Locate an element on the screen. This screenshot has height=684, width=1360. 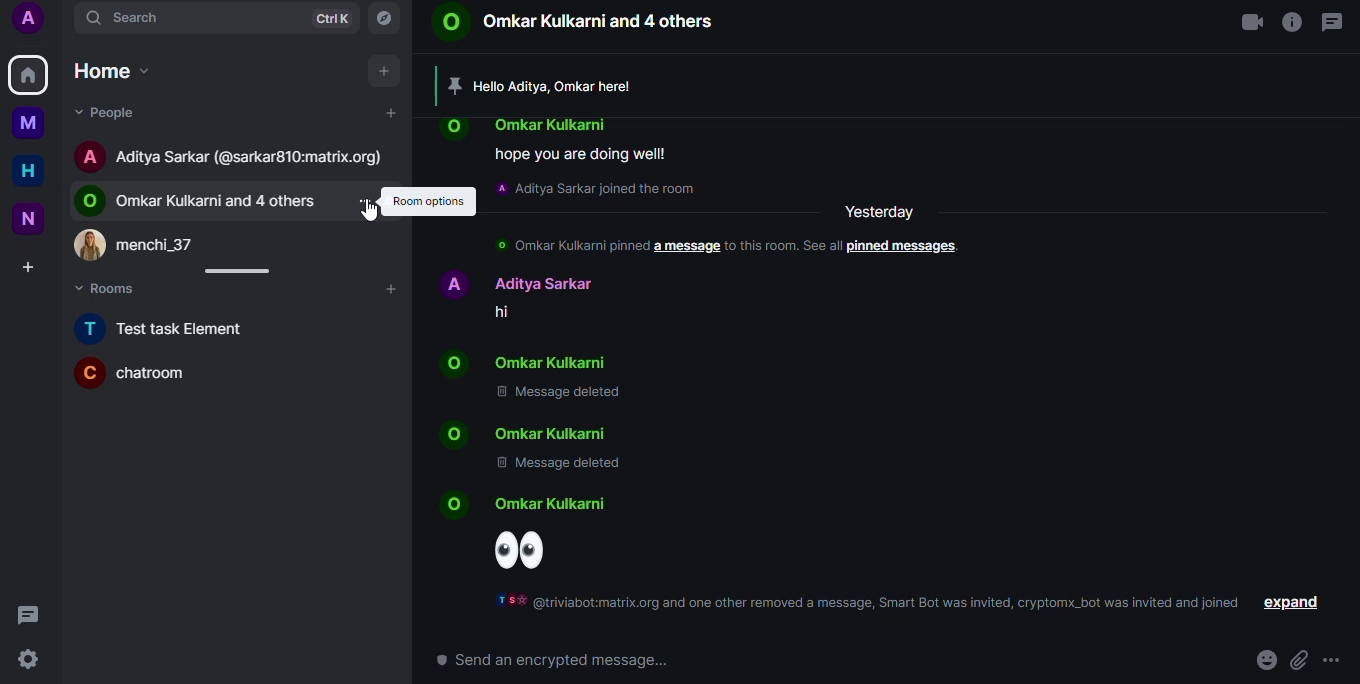
more is located at coordinates (1336, 660).